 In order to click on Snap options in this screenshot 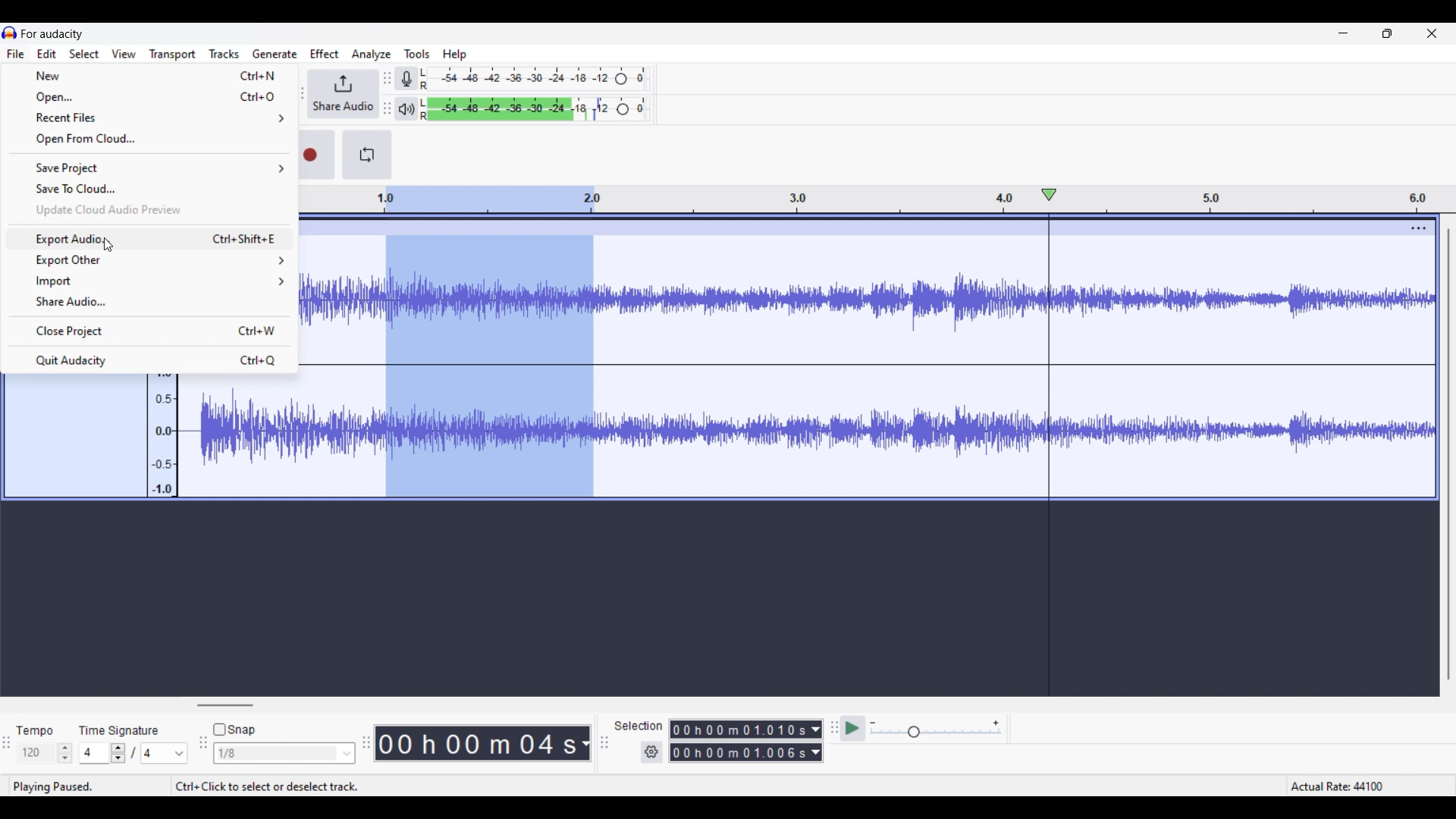, I will do `click(285, 753)`.